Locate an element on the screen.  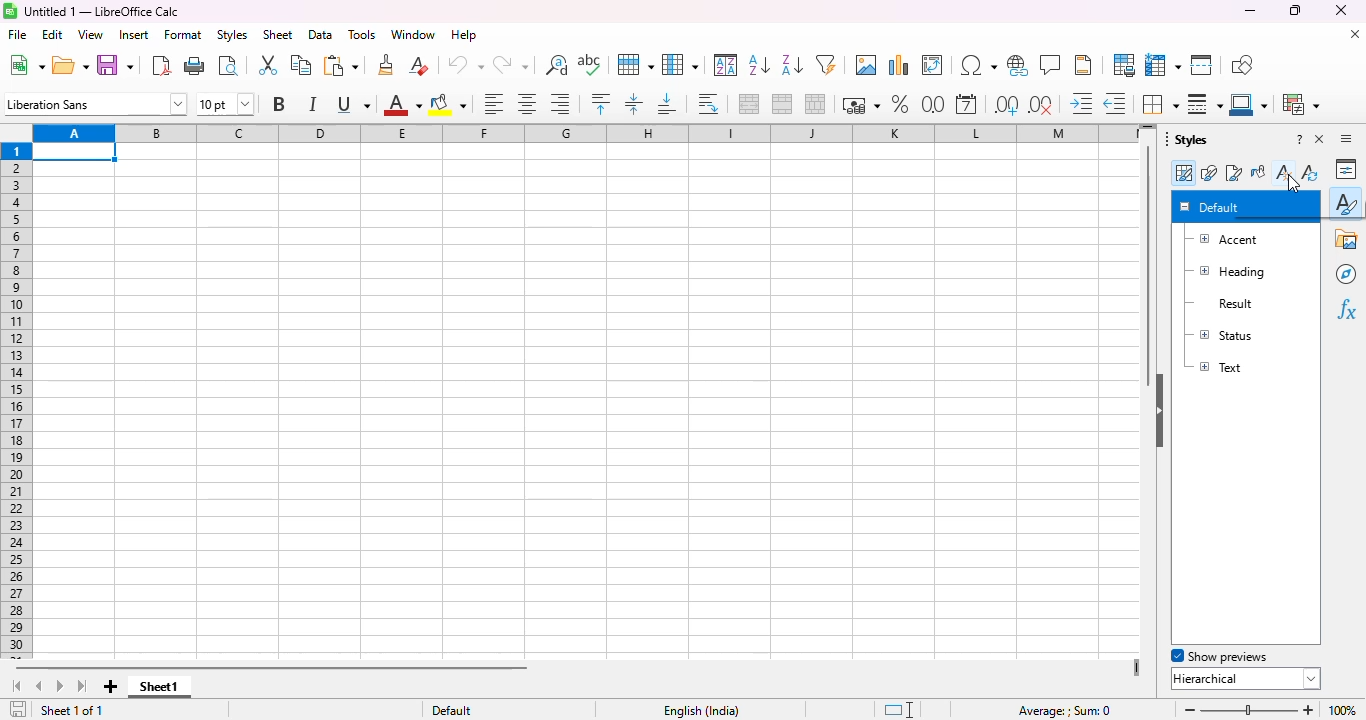
find and replace is located at coordinates (557, 65).